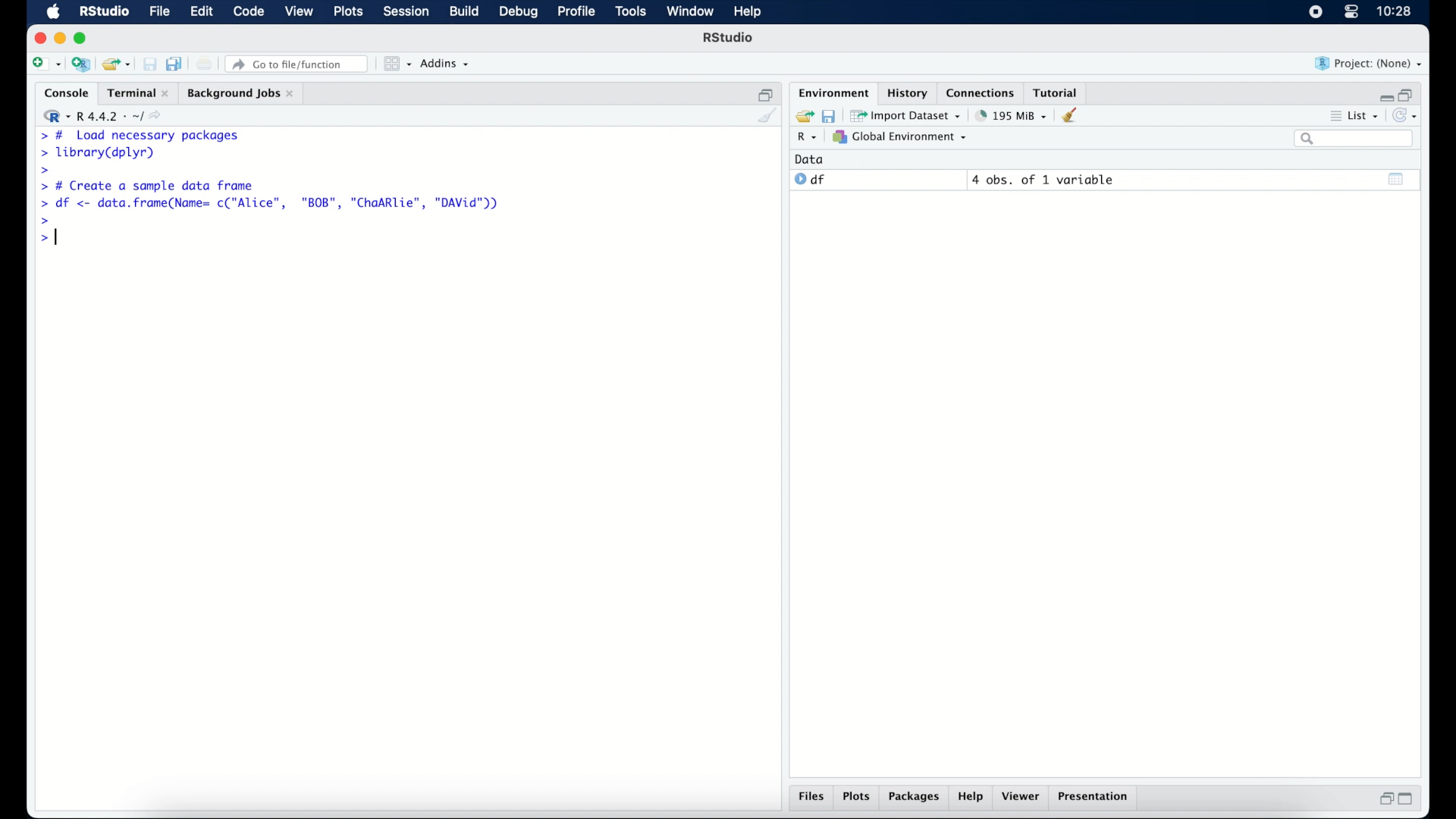 The width and height of the screenshot is (1456, 819). What do you see at coordinates (811, 799) in the screenshot?
I see `files` at bounding box center [811, 799].